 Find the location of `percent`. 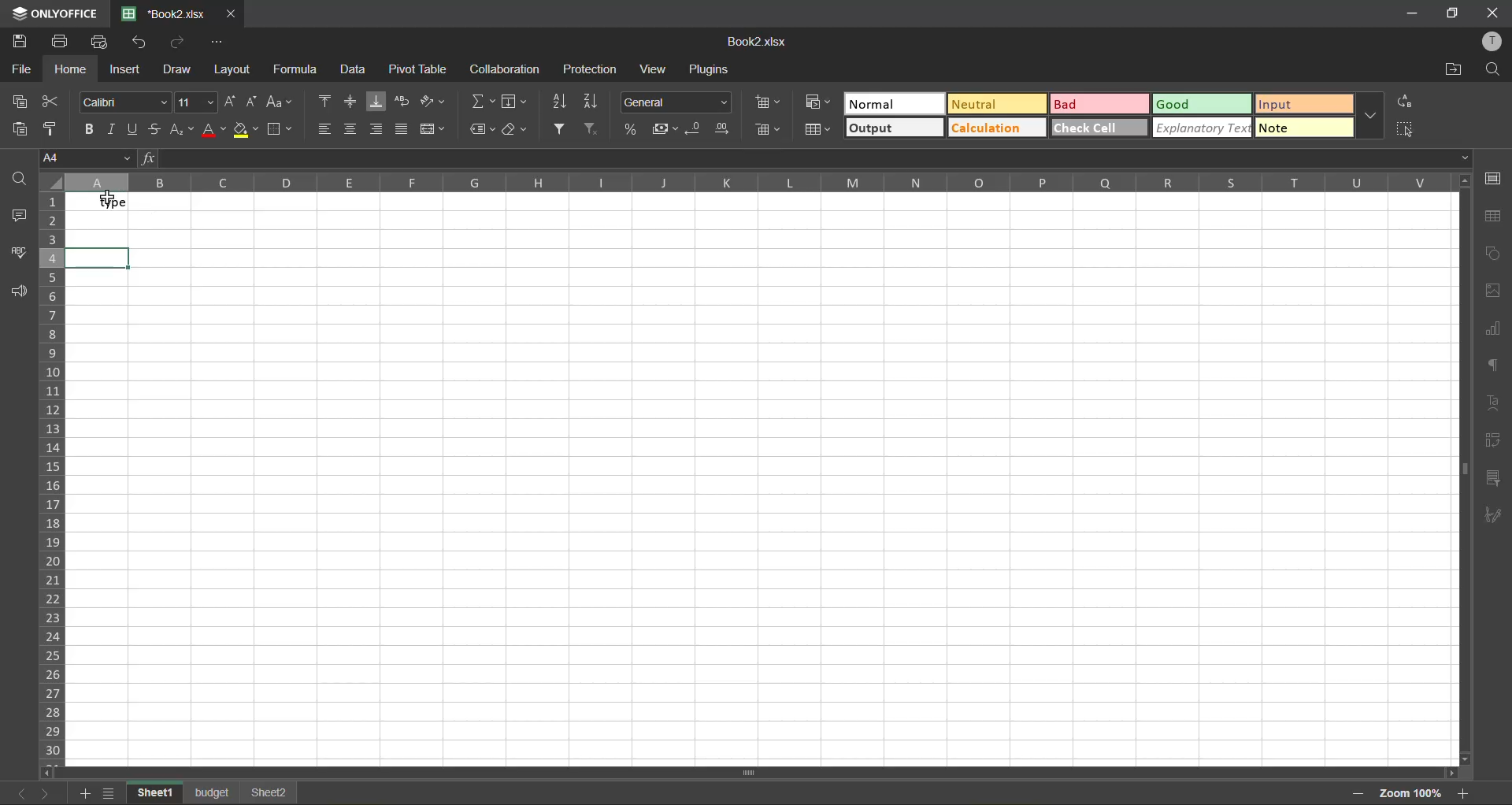

percent is located at coordinates (634, 127).